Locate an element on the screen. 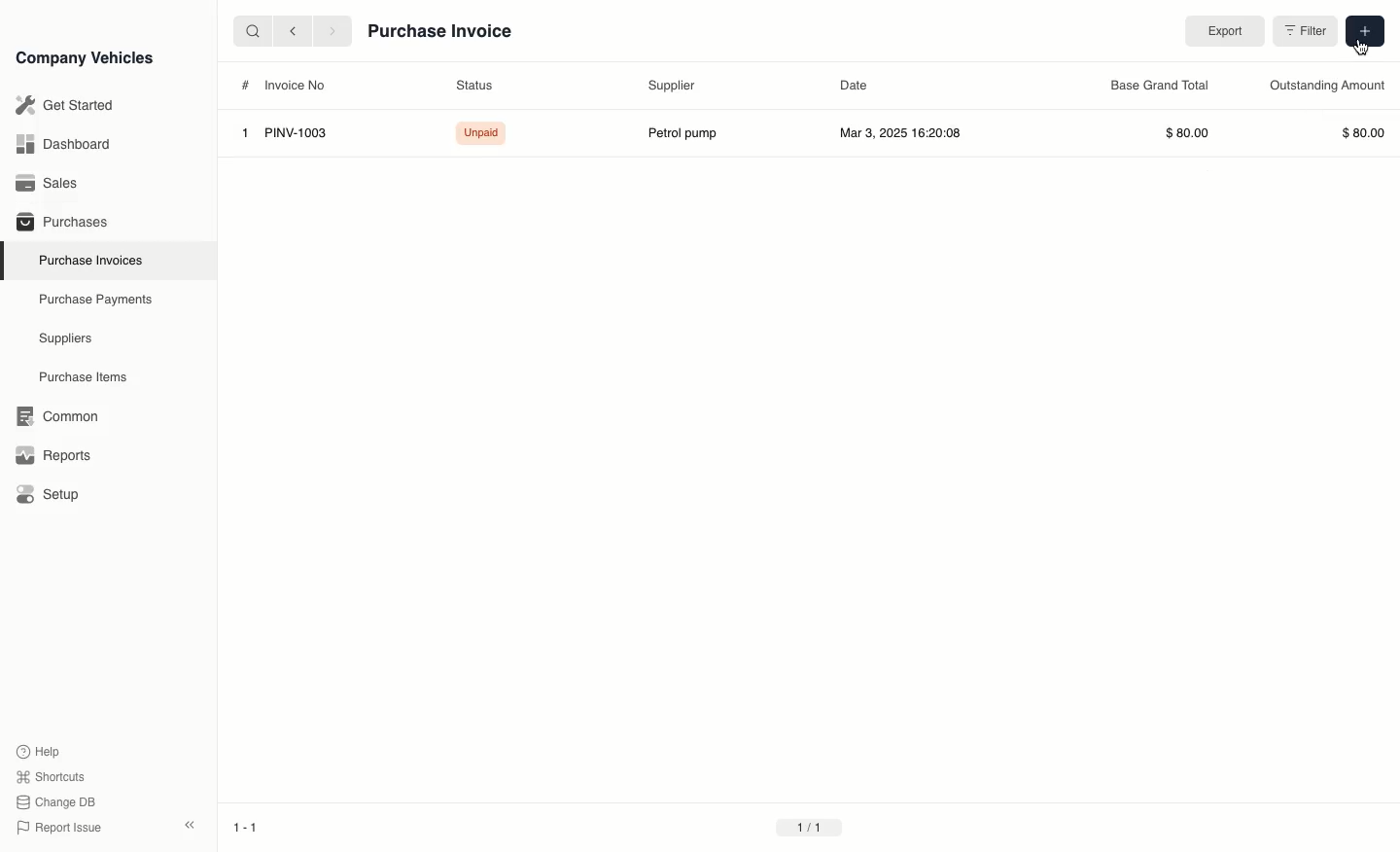  add purchace invoice is located at coordinates (1365, 32).